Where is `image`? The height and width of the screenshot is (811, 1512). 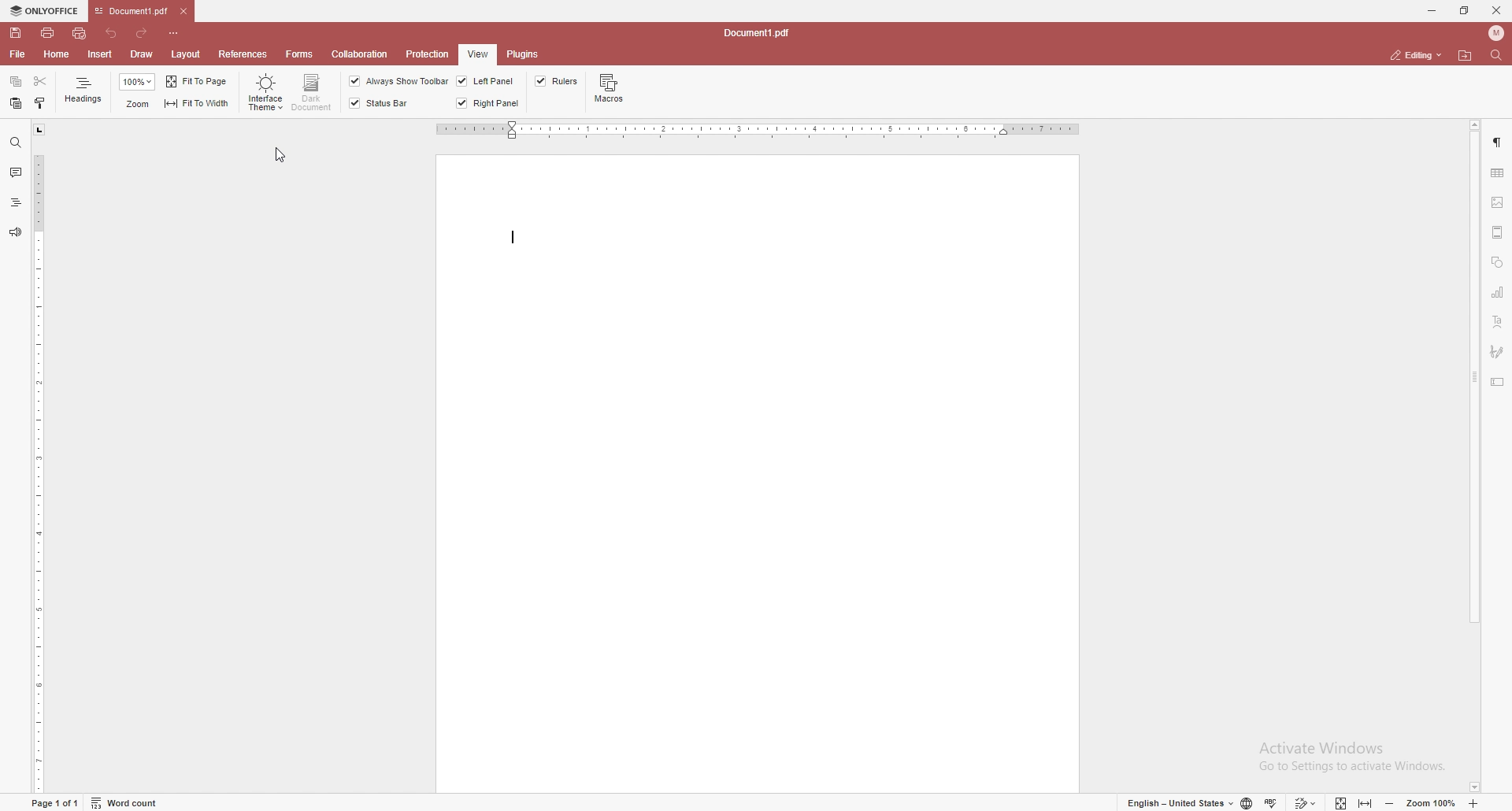 image is located at coordinates (1499, 202).